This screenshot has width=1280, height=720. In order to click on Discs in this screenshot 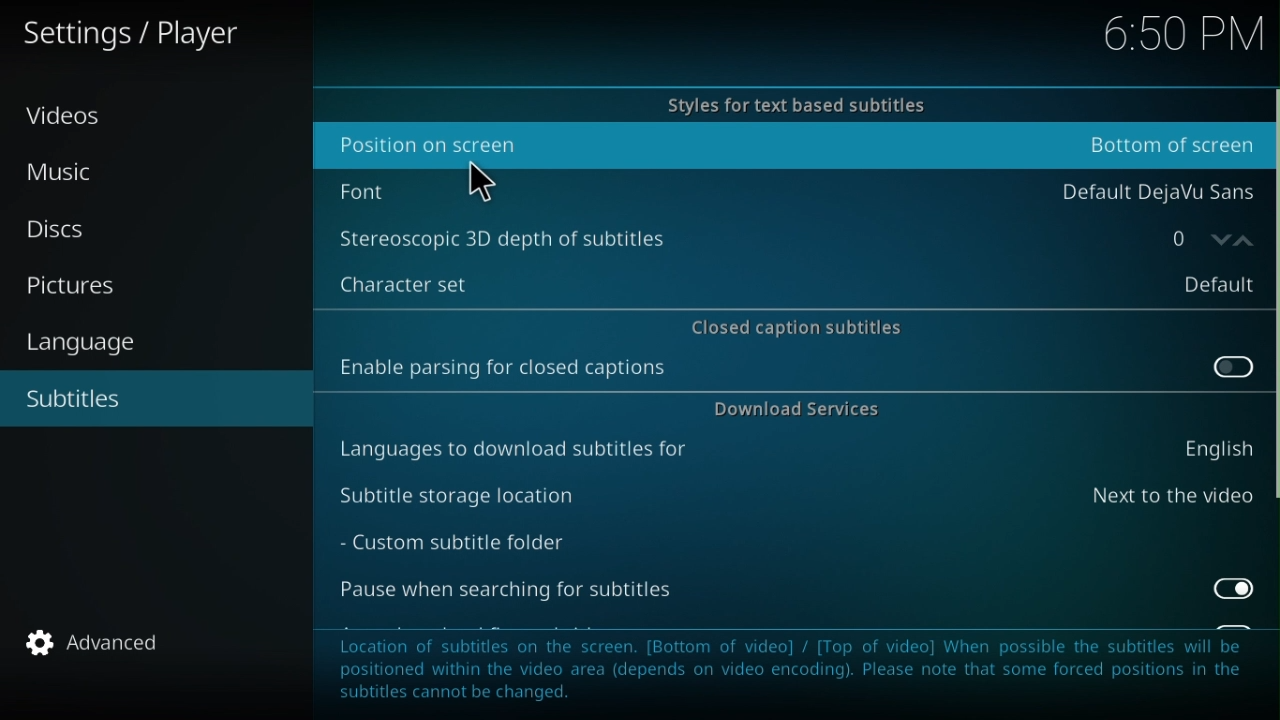, I will do `click(67, 229)`.